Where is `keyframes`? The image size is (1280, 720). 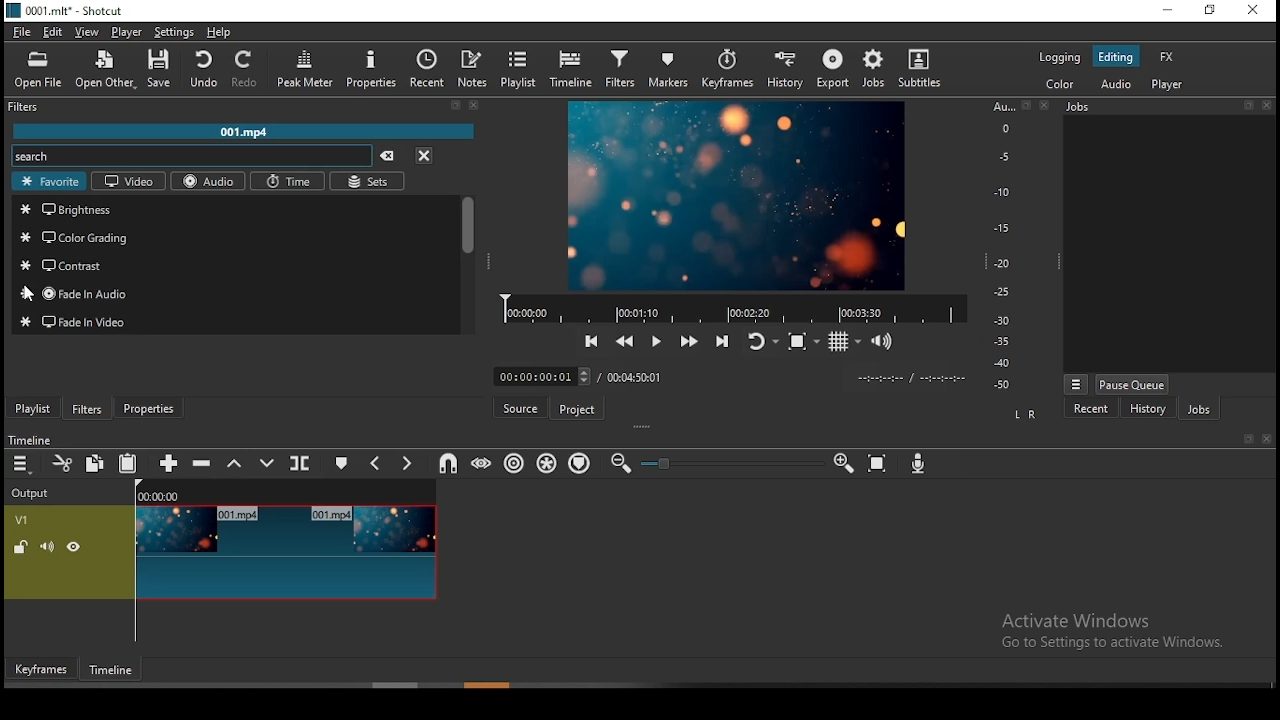
keyframes is located at coordinates (727, 67).